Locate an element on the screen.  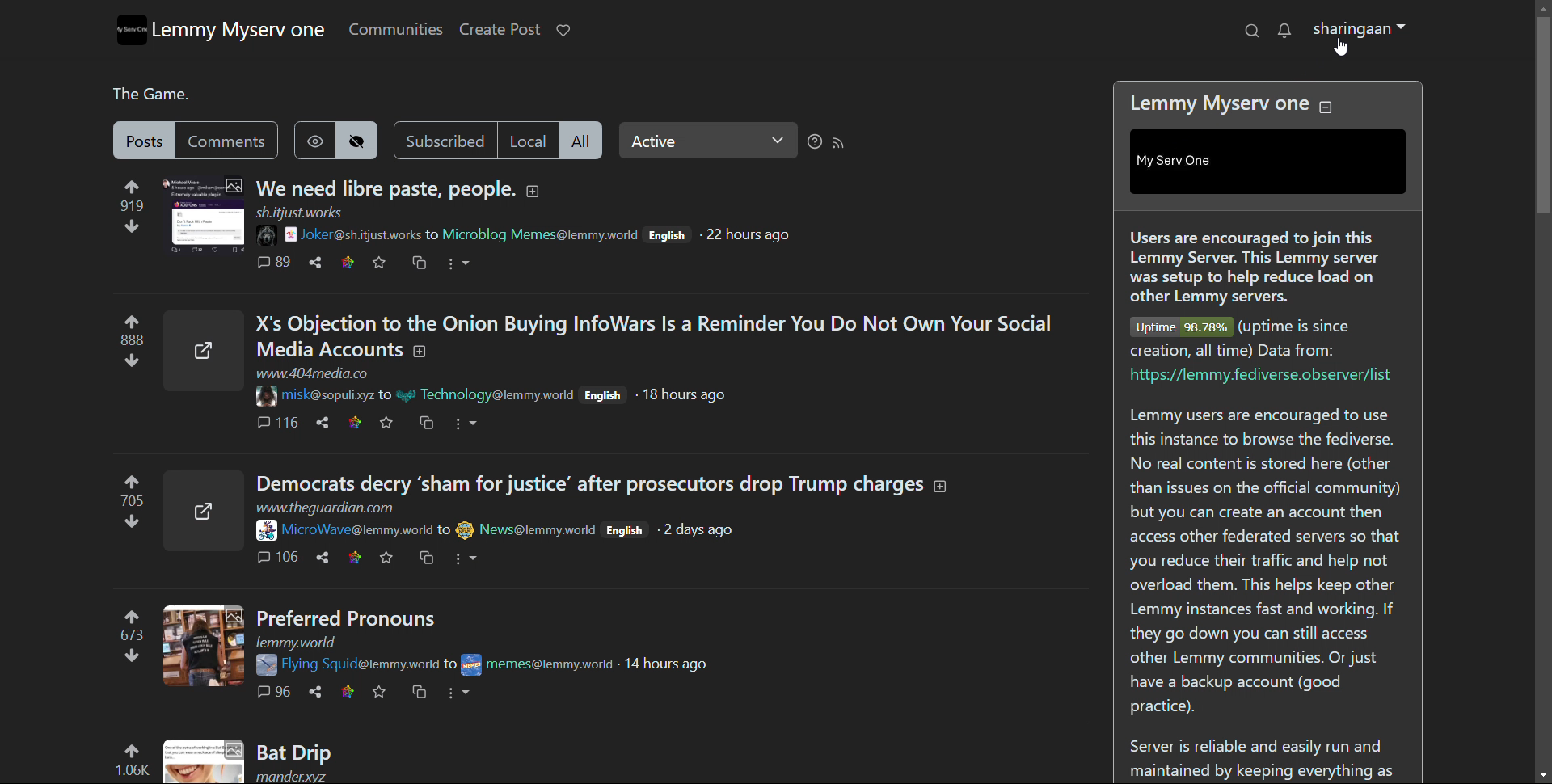
poster username is located at coordinates (538, 529).